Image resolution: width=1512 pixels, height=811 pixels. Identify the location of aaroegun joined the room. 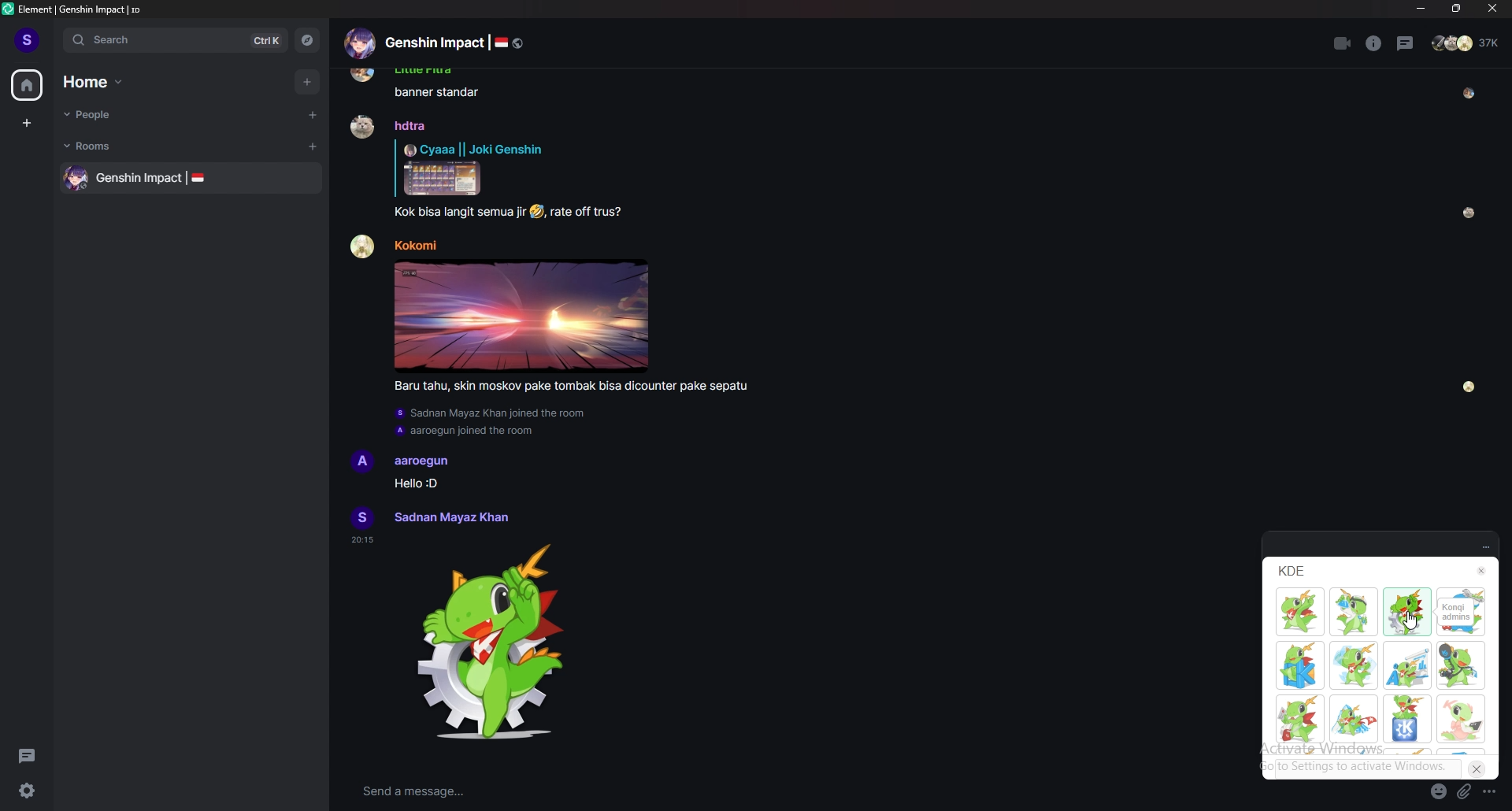
(464, 431).